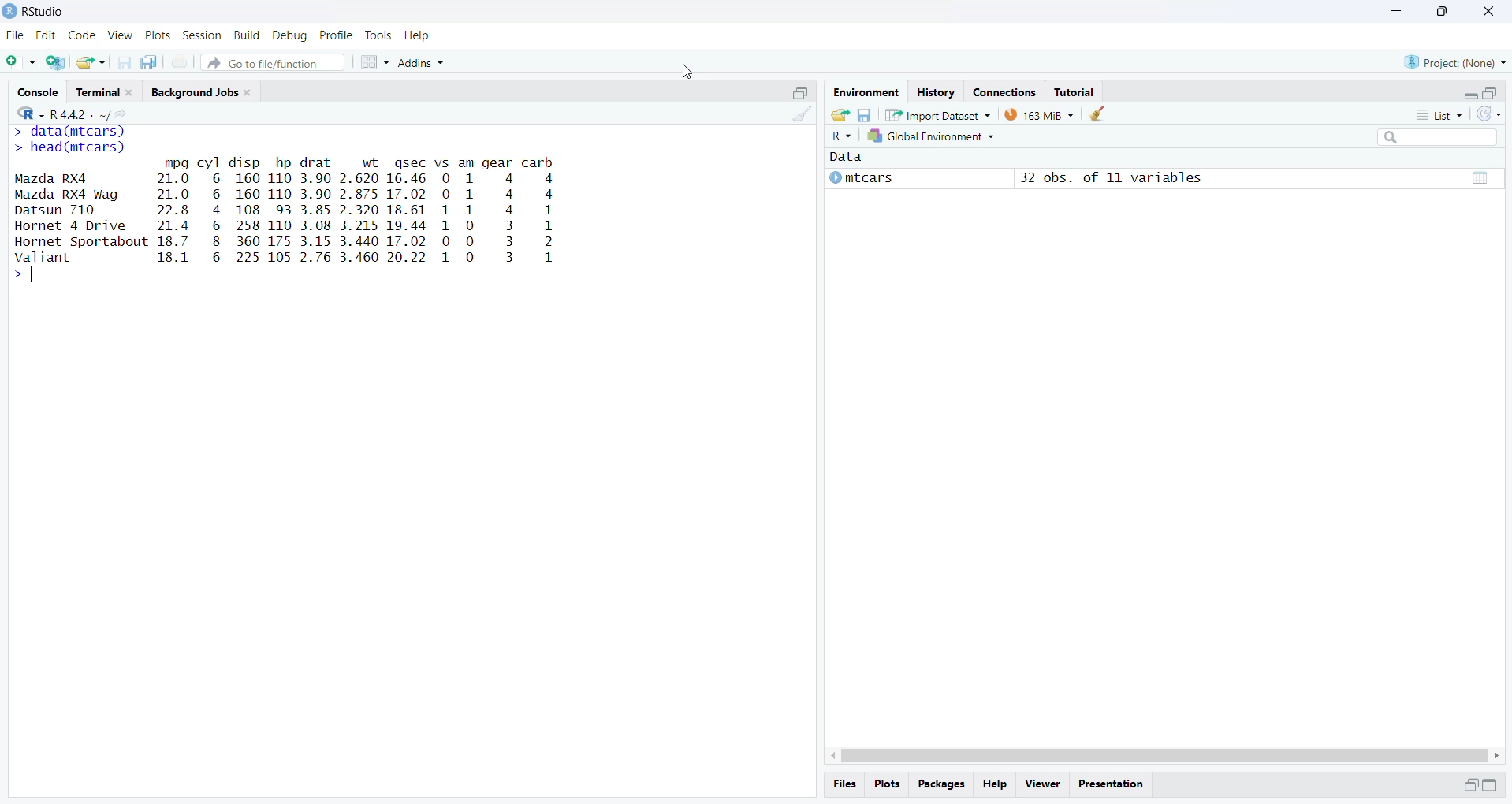 This screenshot has height=804, width=1512. I want to click on Packages, so click(944, 784).